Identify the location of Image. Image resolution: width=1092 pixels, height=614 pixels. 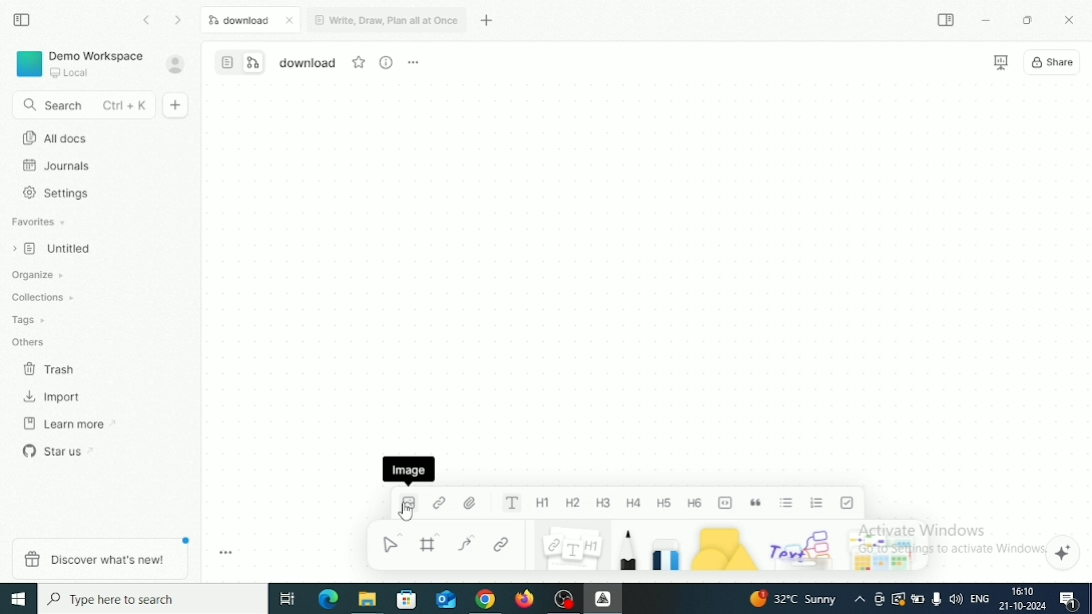
(407, 508).